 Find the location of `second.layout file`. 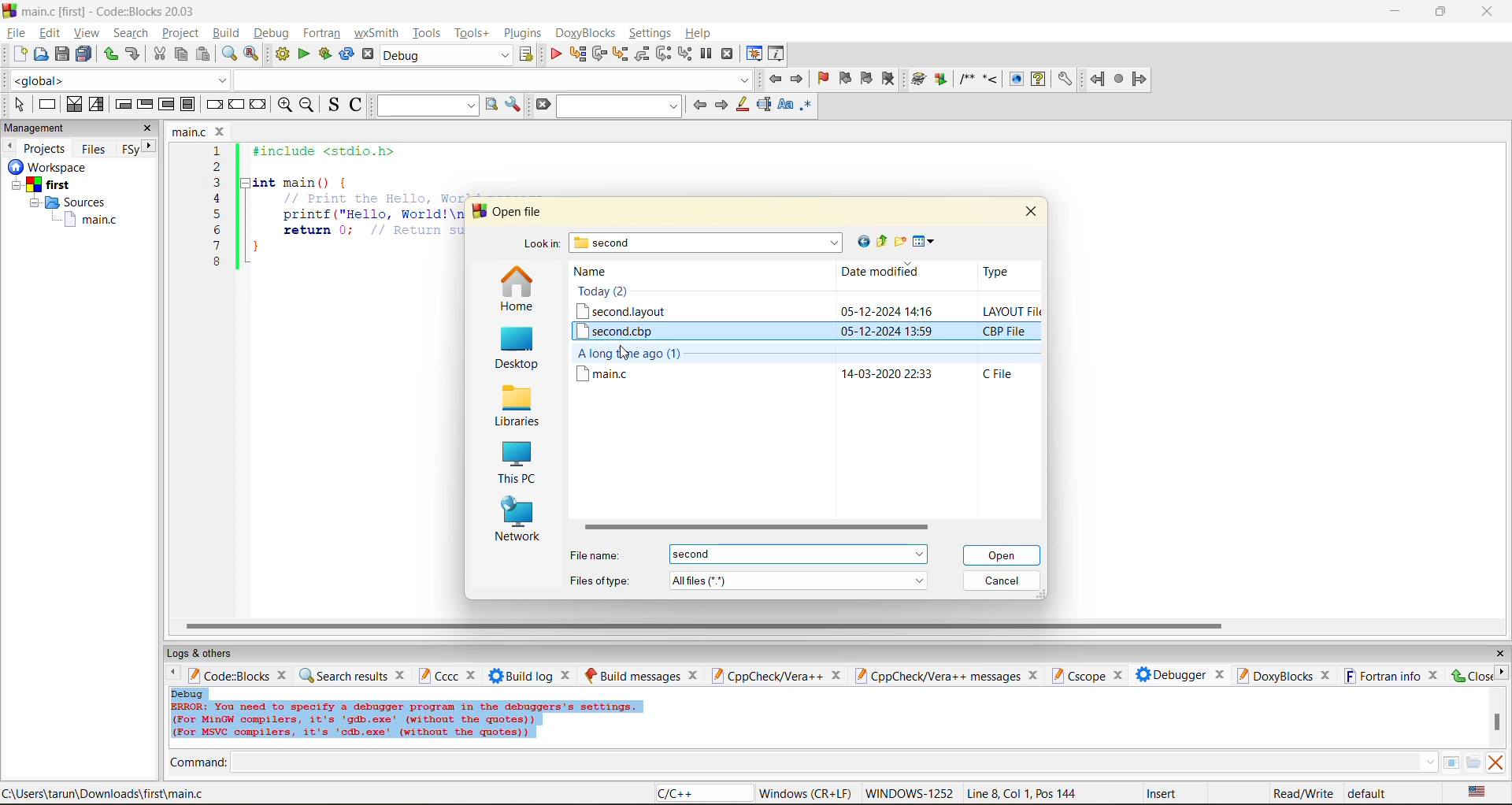

second.layout file is located at coordinates (622, 311).